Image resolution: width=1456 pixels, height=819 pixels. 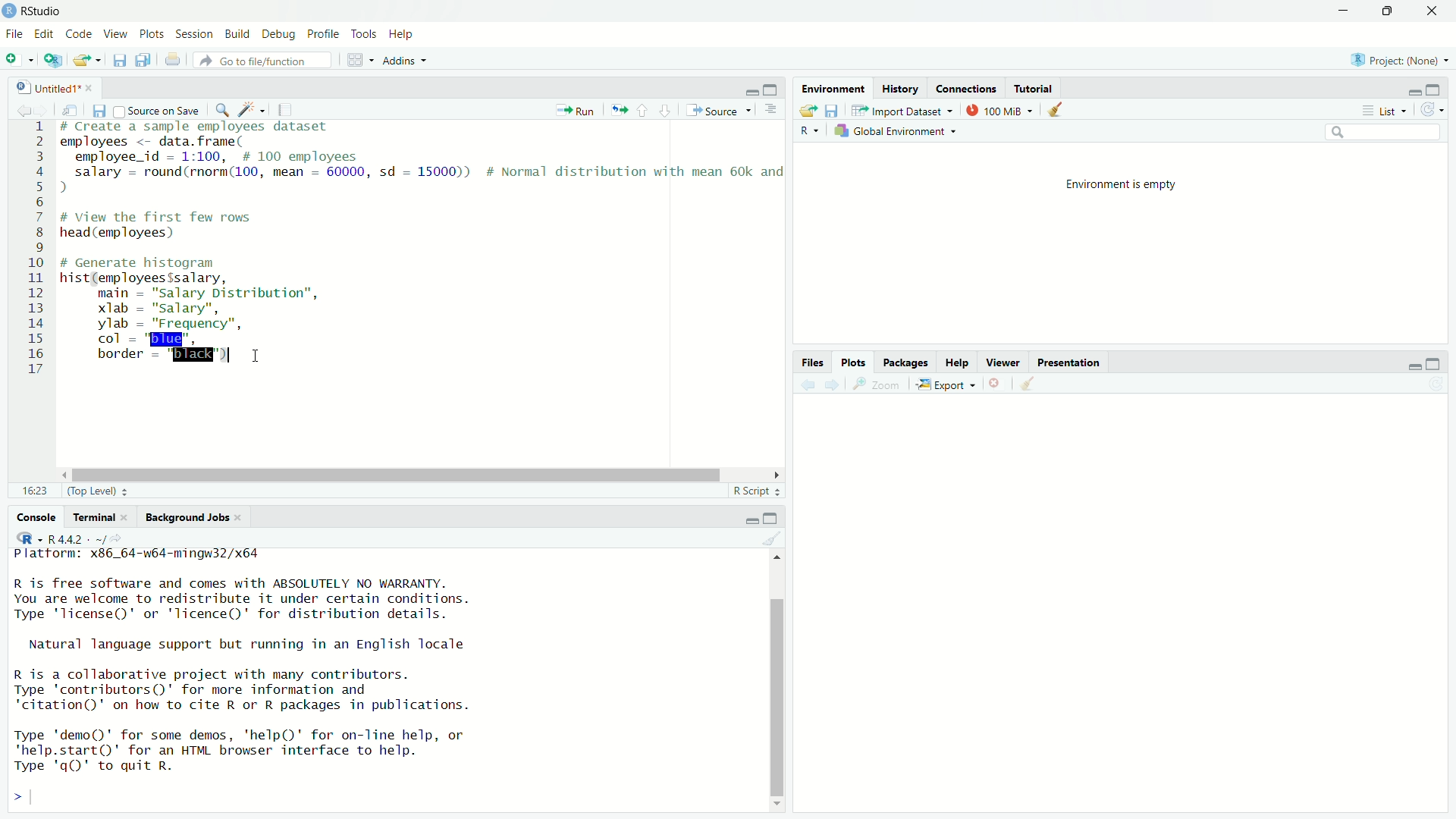 I want to click on 16:23, so click(x=36, y=490).